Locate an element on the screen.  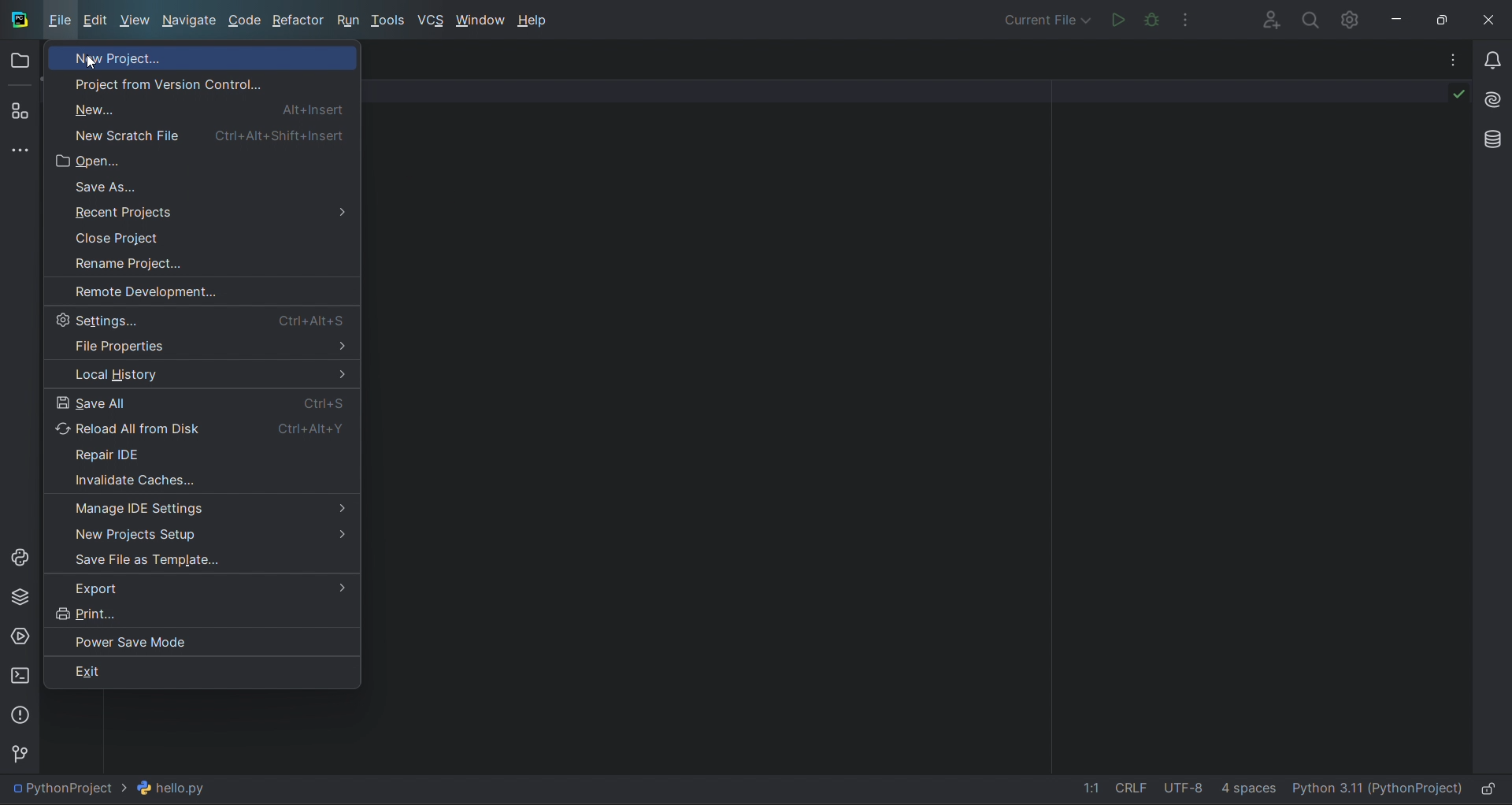
structure is located at coordinates (20, 112).